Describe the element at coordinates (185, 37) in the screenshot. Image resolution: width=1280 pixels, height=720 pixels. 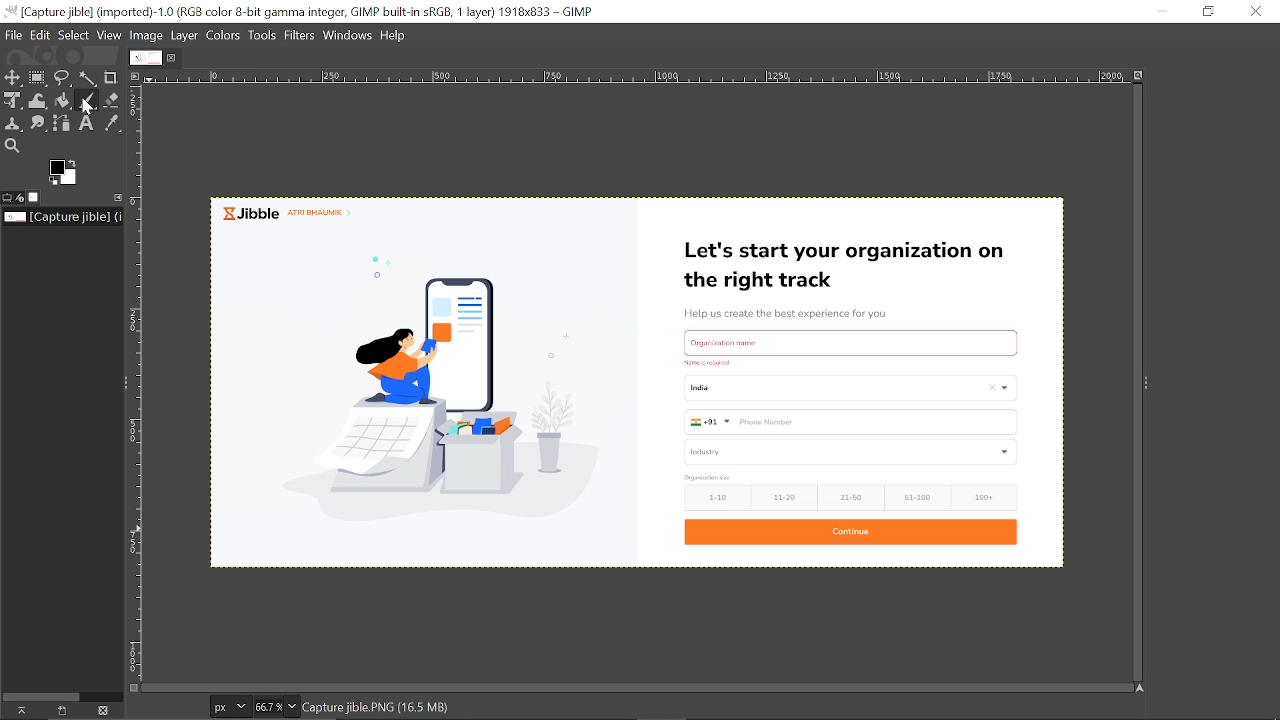
I see `Layer` at that location.